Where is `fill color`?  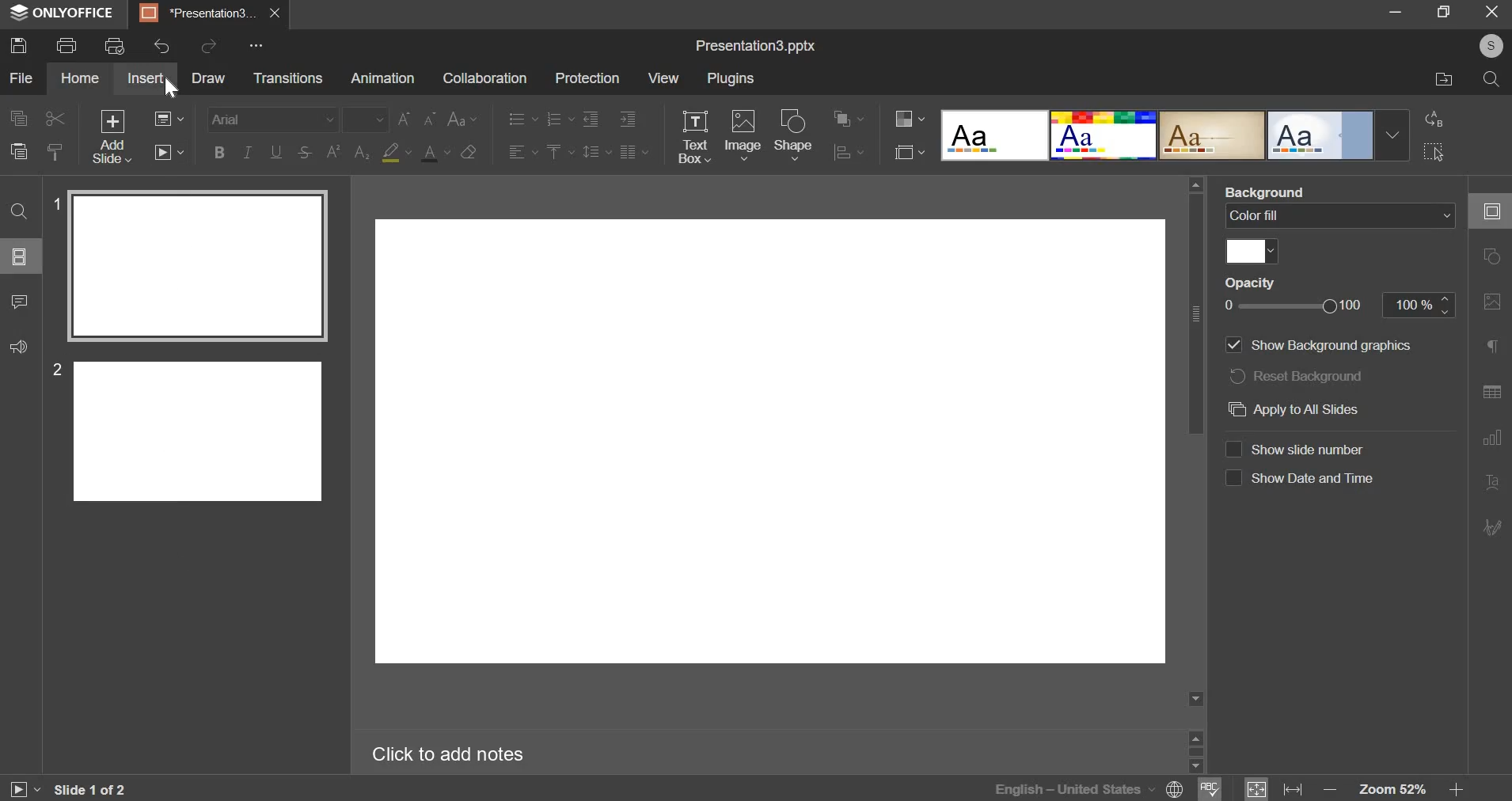
fill color is located at coordinates (1252, 252).